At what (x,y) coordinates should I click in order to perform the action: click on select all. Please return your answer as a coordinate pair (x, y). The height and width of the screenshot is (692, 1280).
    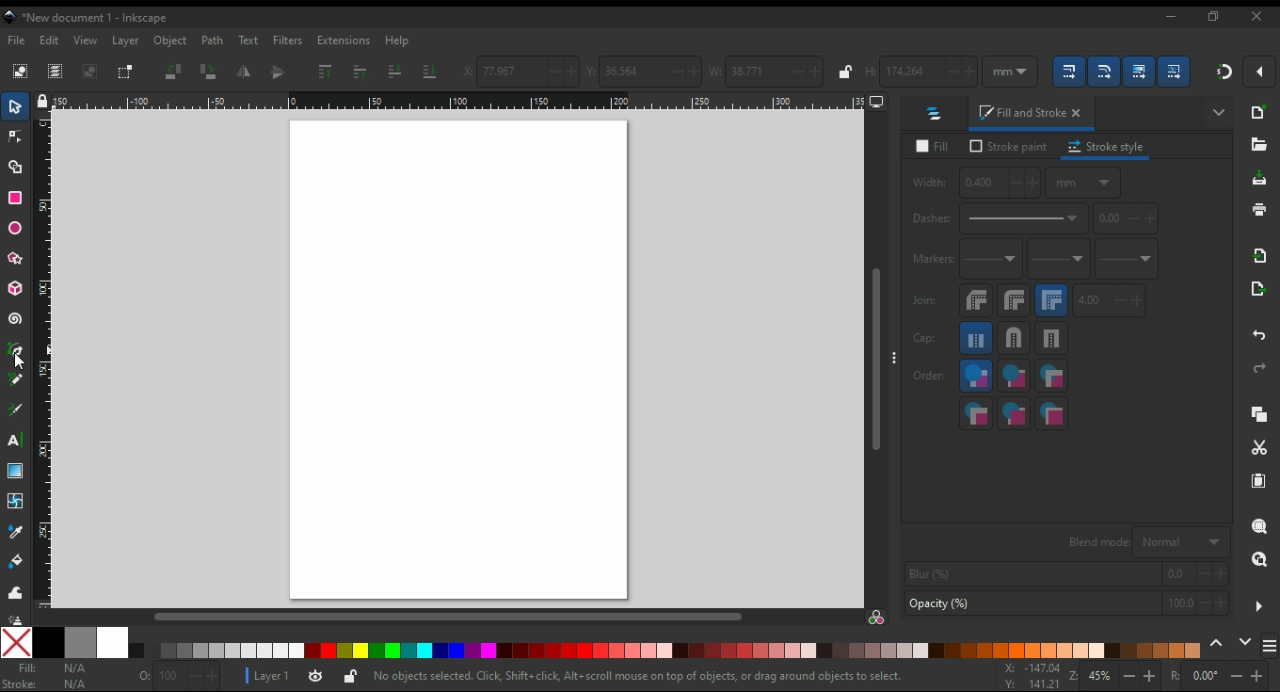
    Looking at the image, I should click on (21, 71).